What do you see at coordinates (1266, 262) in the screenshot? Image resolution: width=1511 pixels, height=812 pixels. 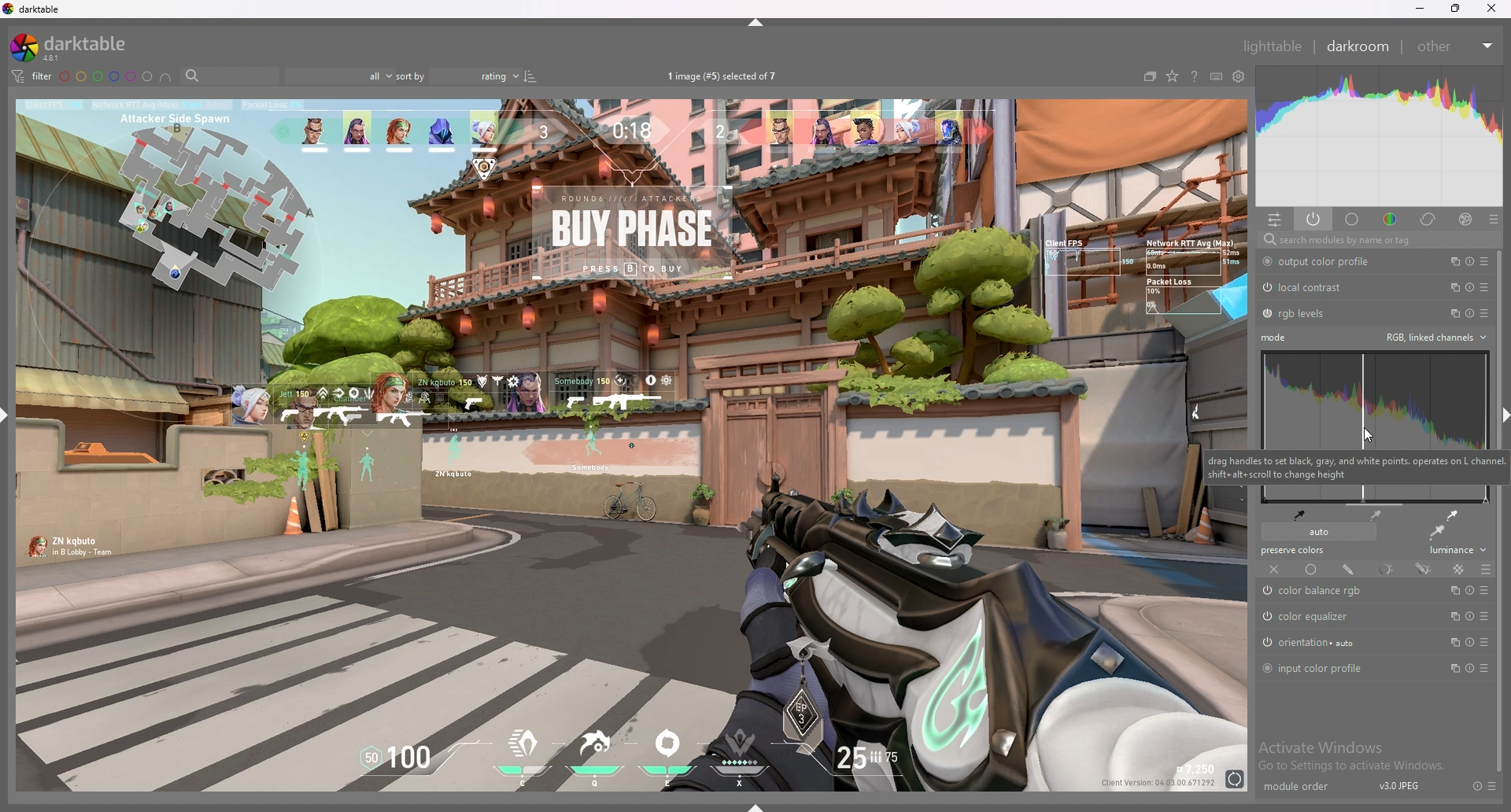 I see `switched on` at bounding box center [1266, 262].